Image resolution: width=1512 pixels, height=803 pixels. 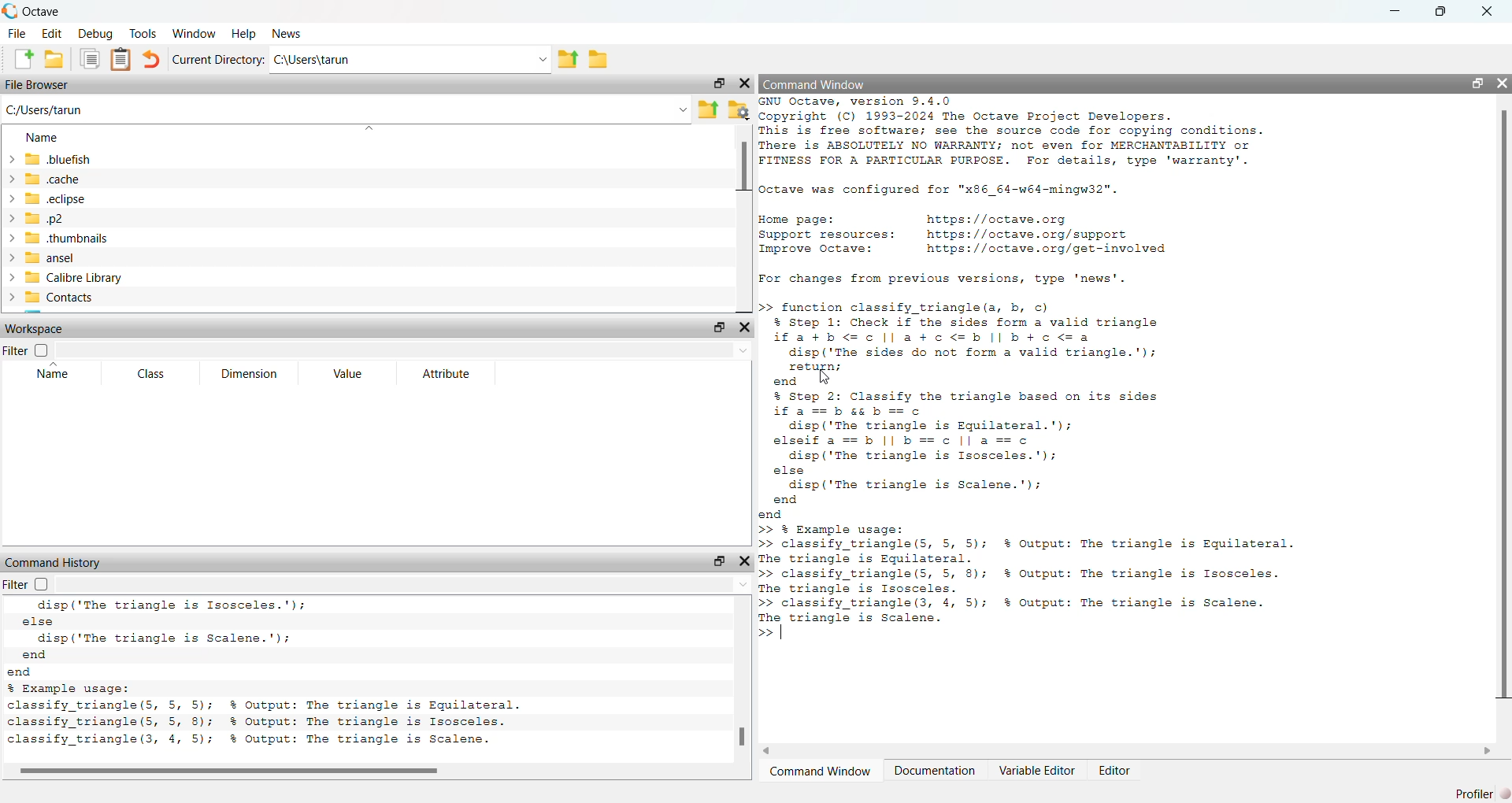 I want to click on minimize, so click(x=1397, y=10).